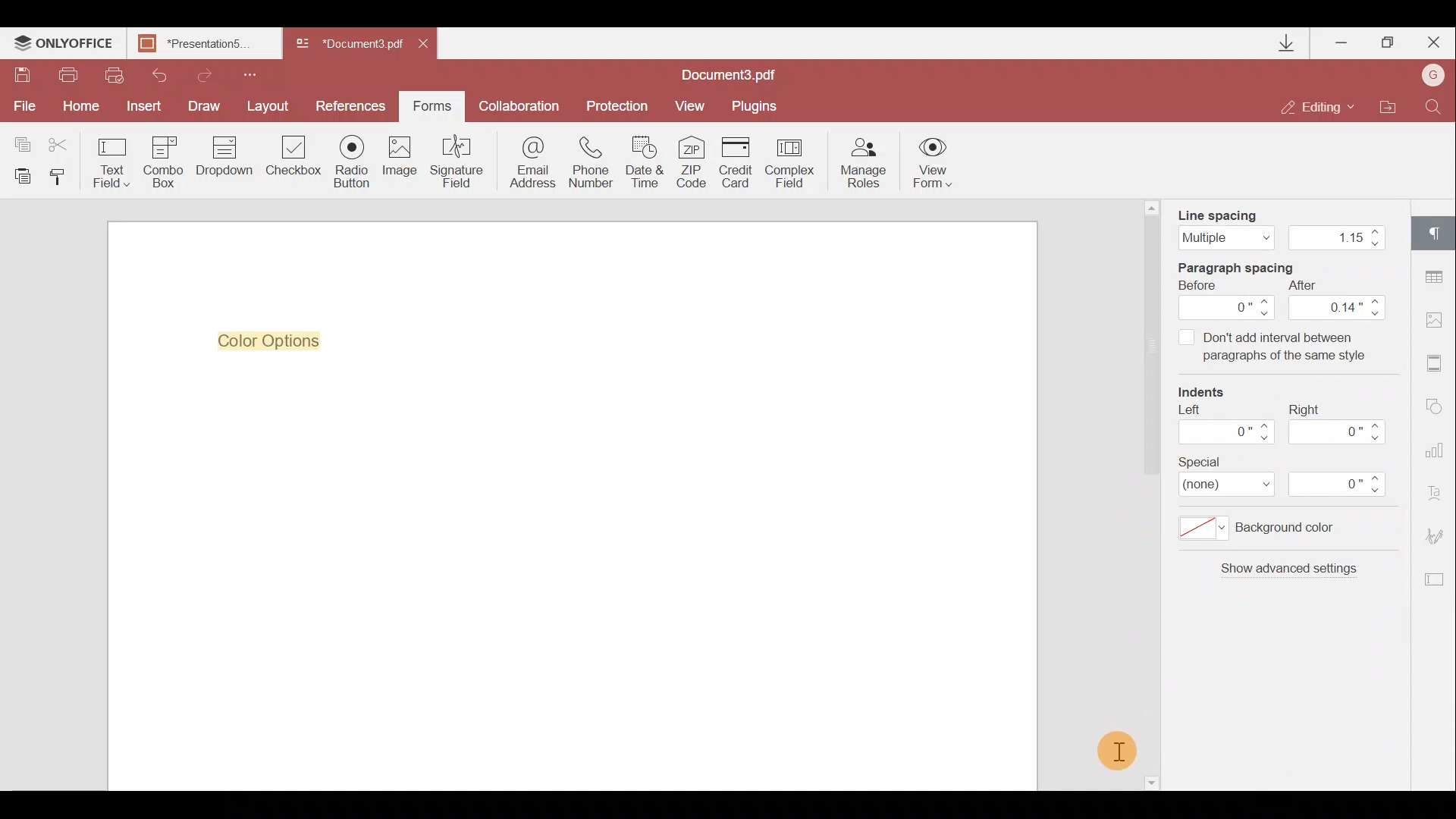 The width and height of the screenshot is (1456, 819). I want to click on Draw, so click(208, 106).